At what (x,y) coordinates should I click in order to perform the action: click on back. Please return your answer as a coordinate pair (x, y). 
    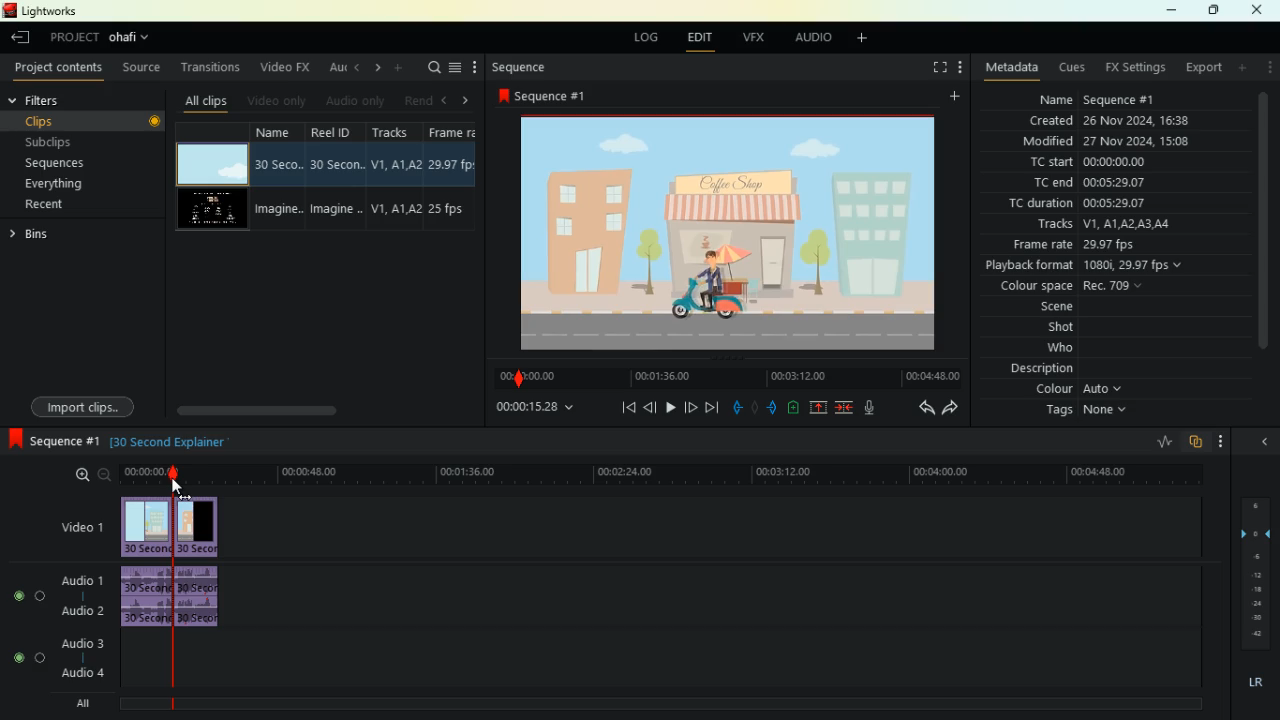
    Looking at the image, I should click on (918, 411).